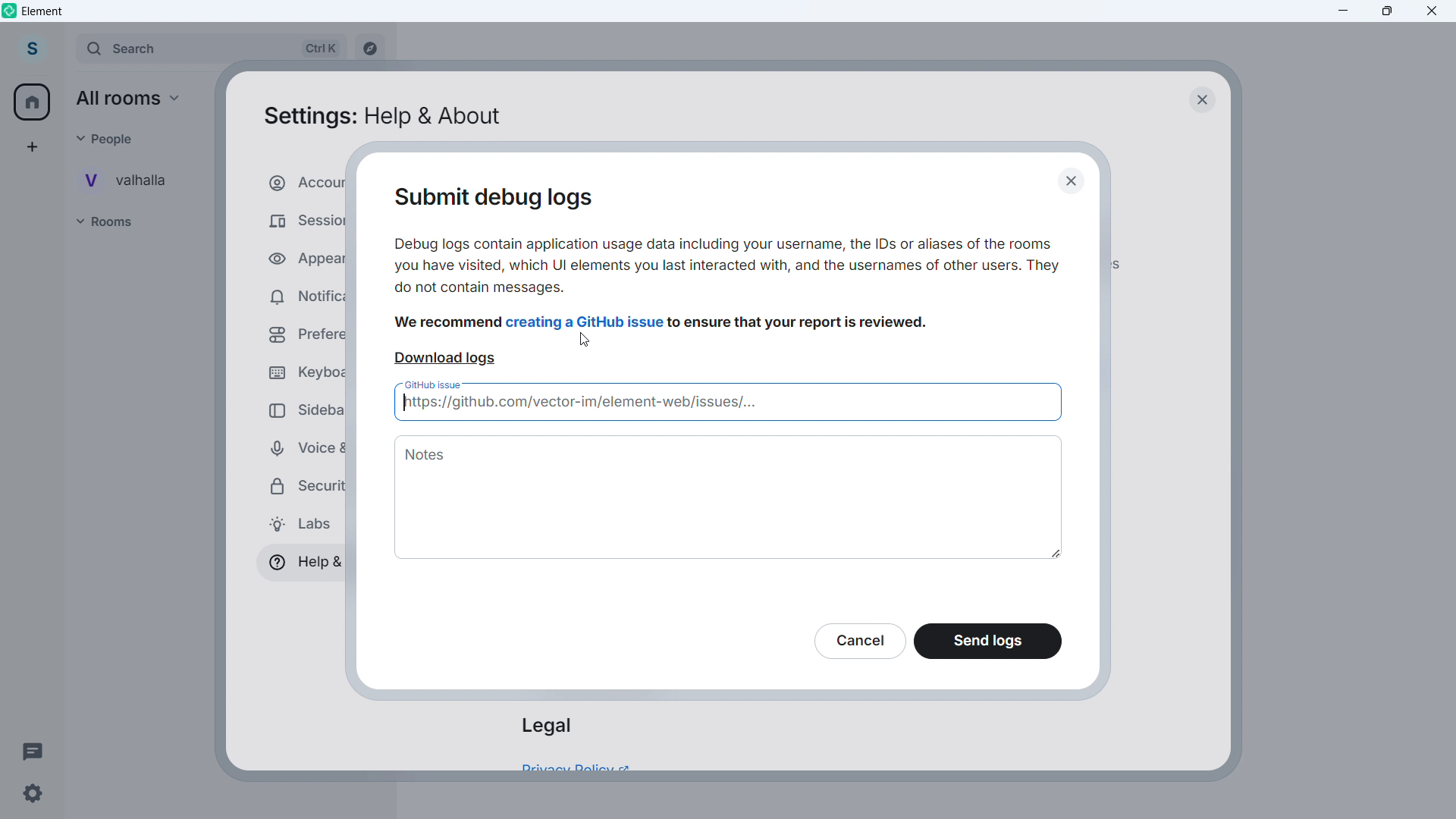 Image resolution: width=1456 pixels, height=819 pixels. What do you see at coordinates (507, 199) in the screenshot?
I see `Submit debug logs` at bounding box center [507, 199].